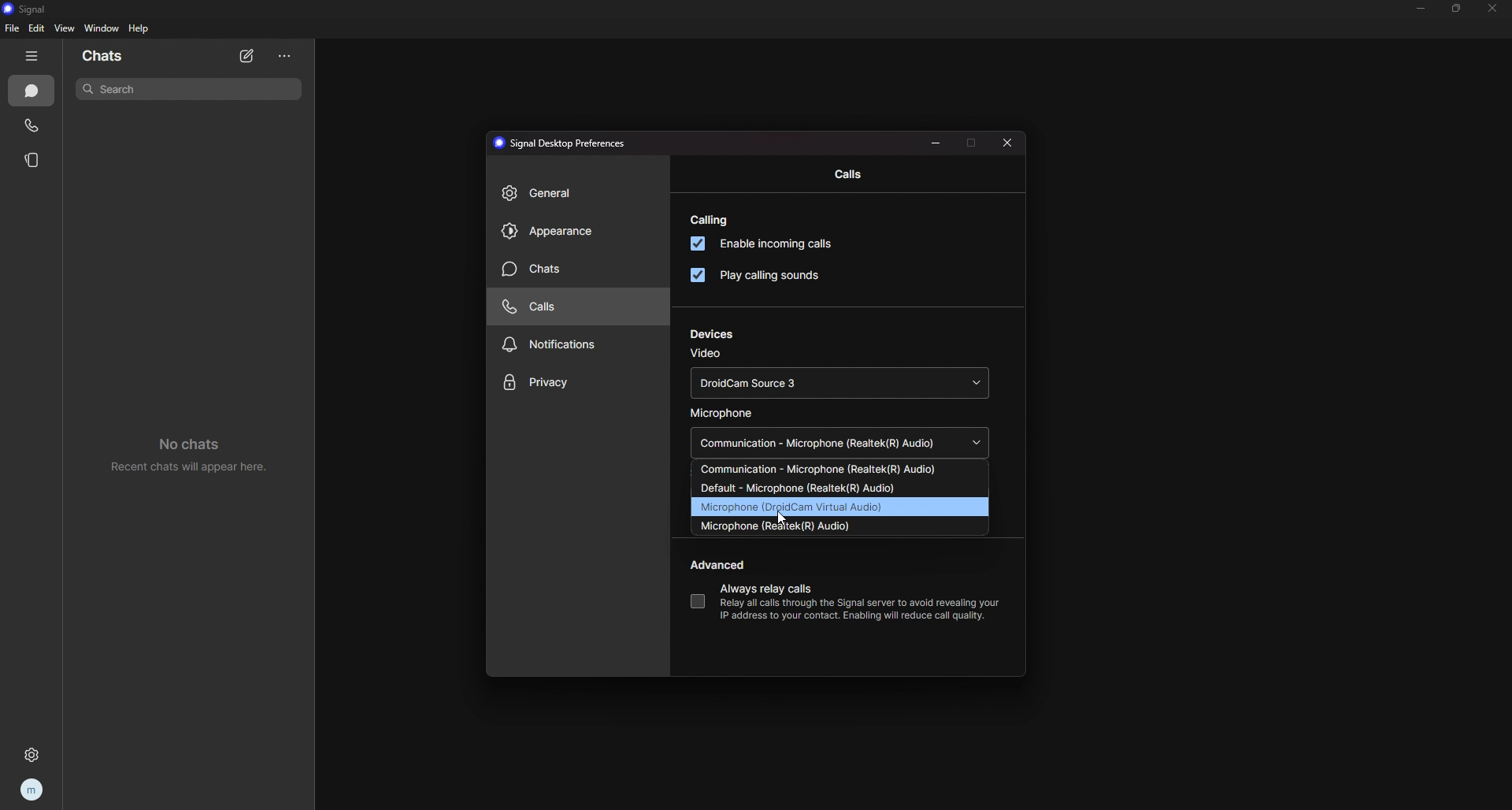 The image size is (1512, 810). What do you see at coordinates (721, 565) in the screenshot?
I see `advanced` at bounding box center [721, 565].